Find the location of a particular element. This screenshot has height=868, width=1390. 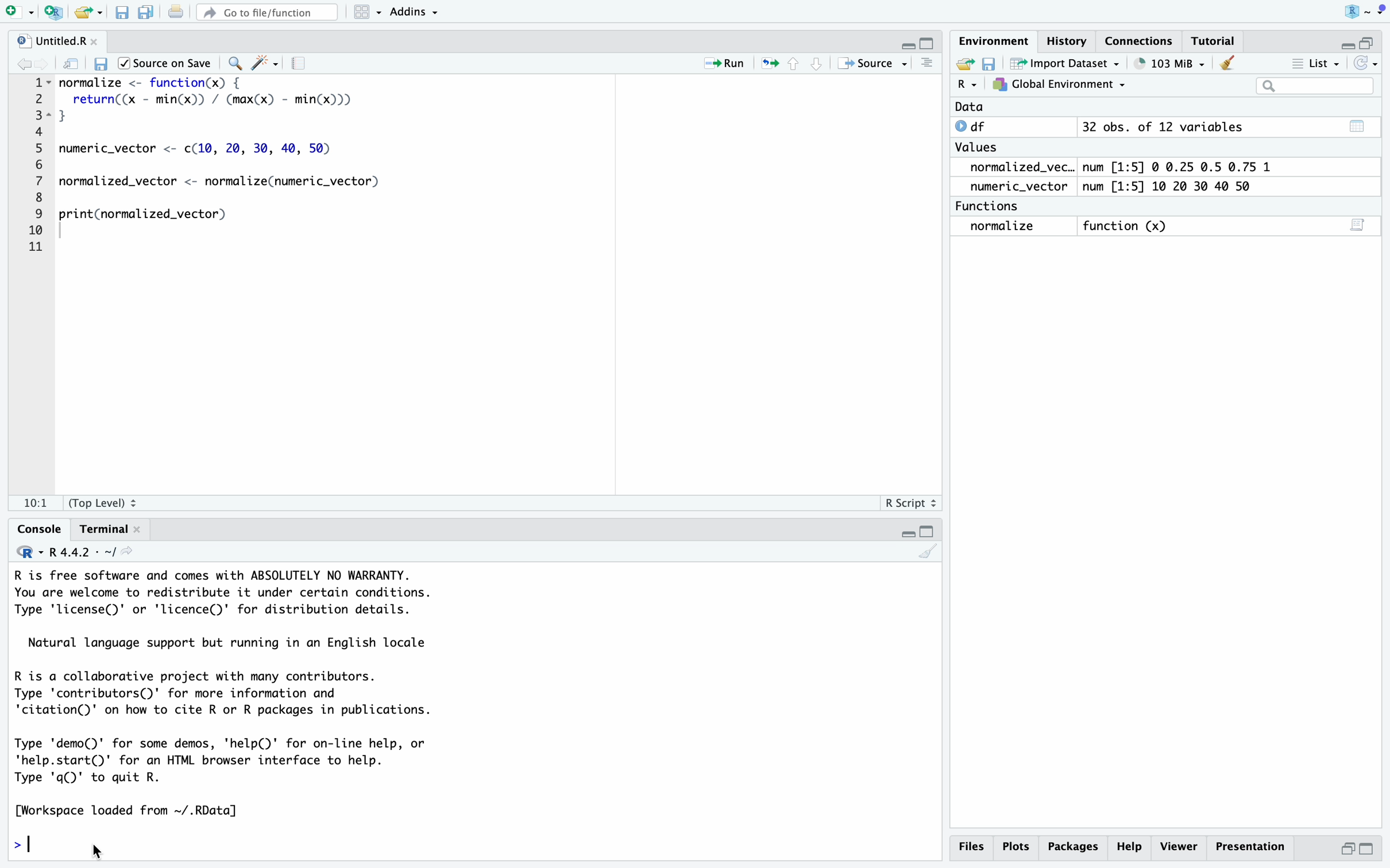

View the current working directory is located at coordinates (136, 555).